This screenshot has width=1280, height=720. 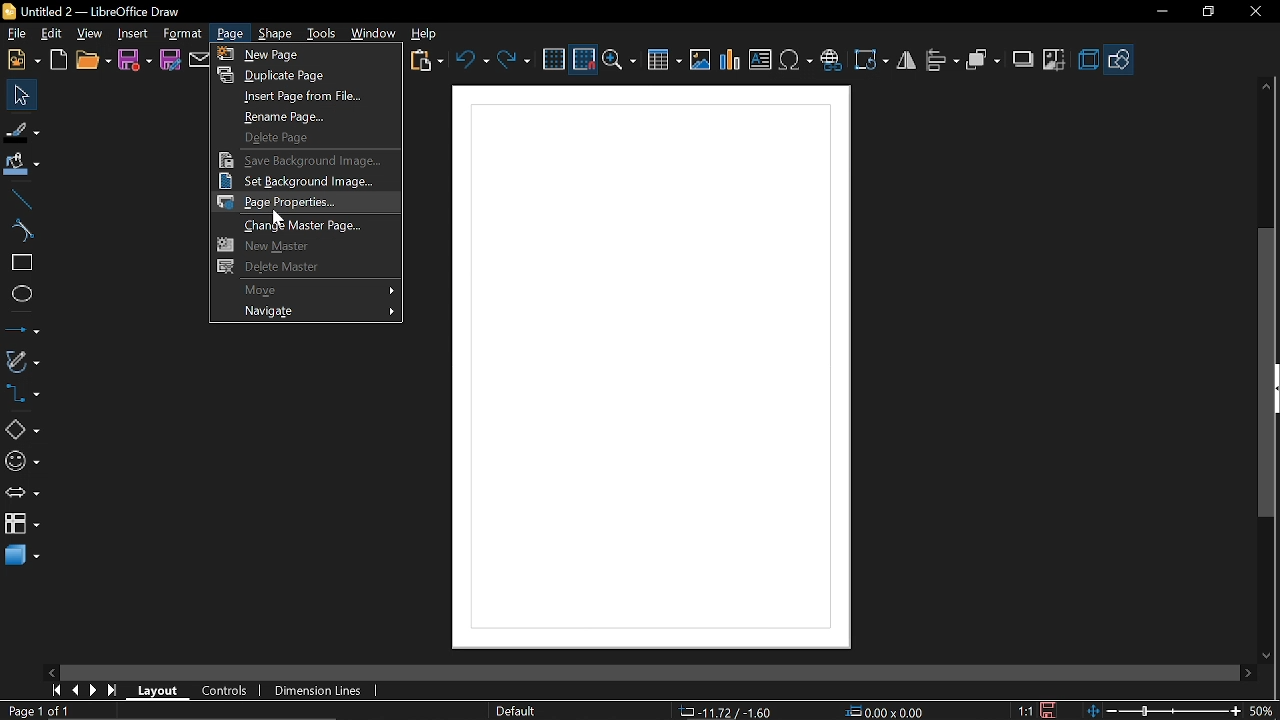 What do you see at coordinates (22, 95) in the screenshot?
I see `Select` at bounding box center [22, 95].